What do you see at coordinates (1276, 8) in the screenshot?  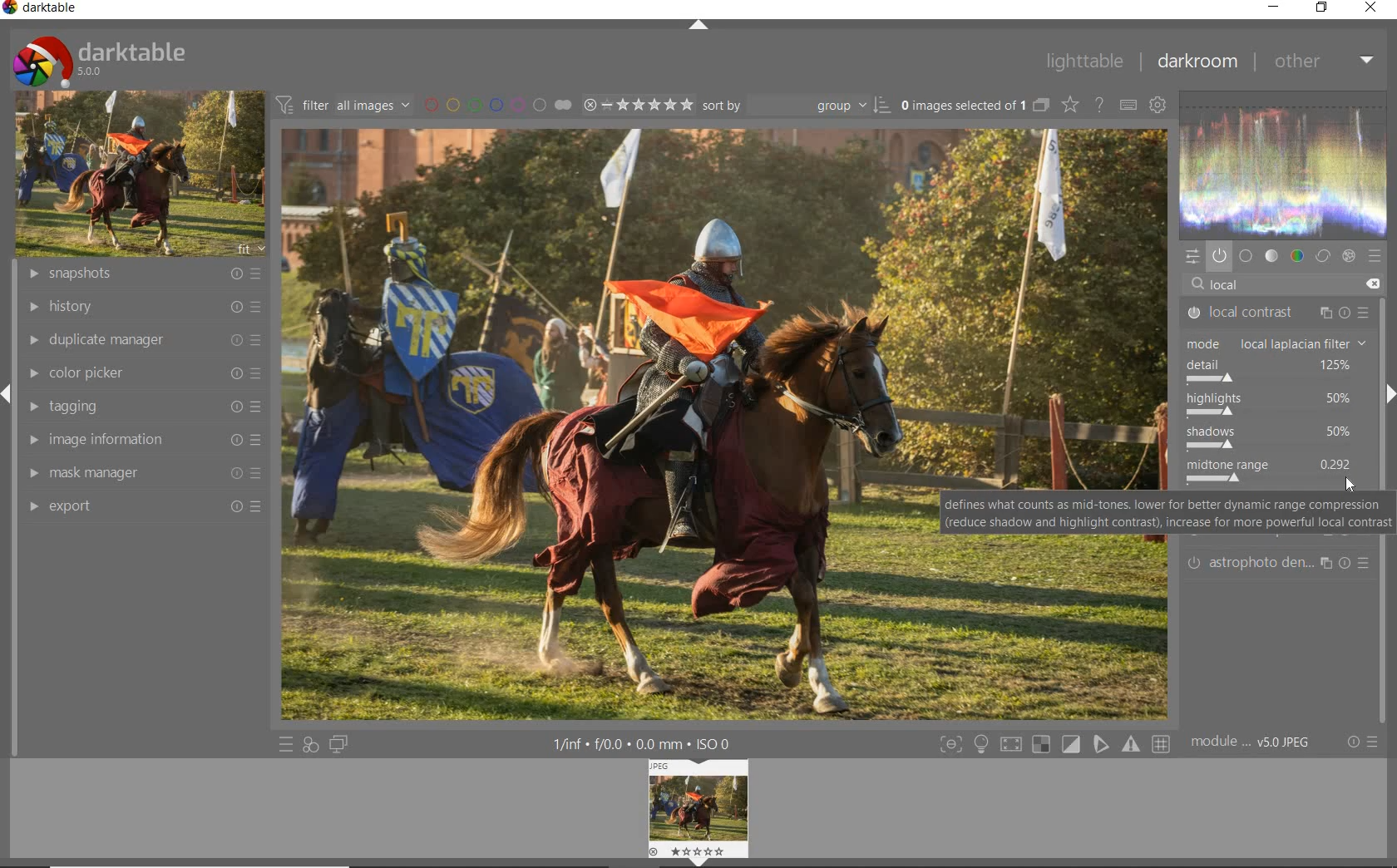 I see `minimize` at bounding box center [1276, 8].